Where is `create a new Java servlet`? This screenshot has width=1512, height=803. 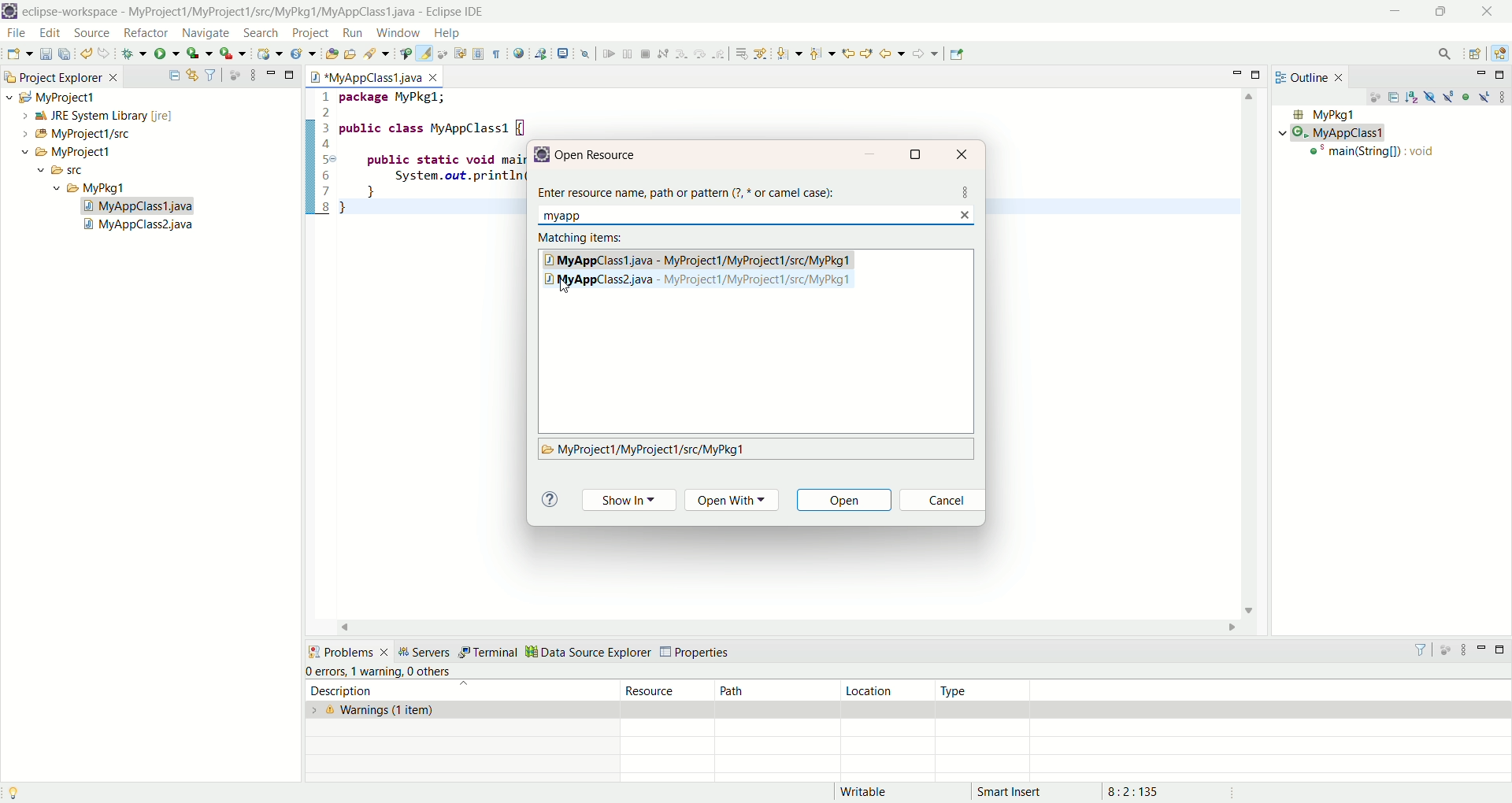
create a new Java servlet is located at coordinates (302, 55).